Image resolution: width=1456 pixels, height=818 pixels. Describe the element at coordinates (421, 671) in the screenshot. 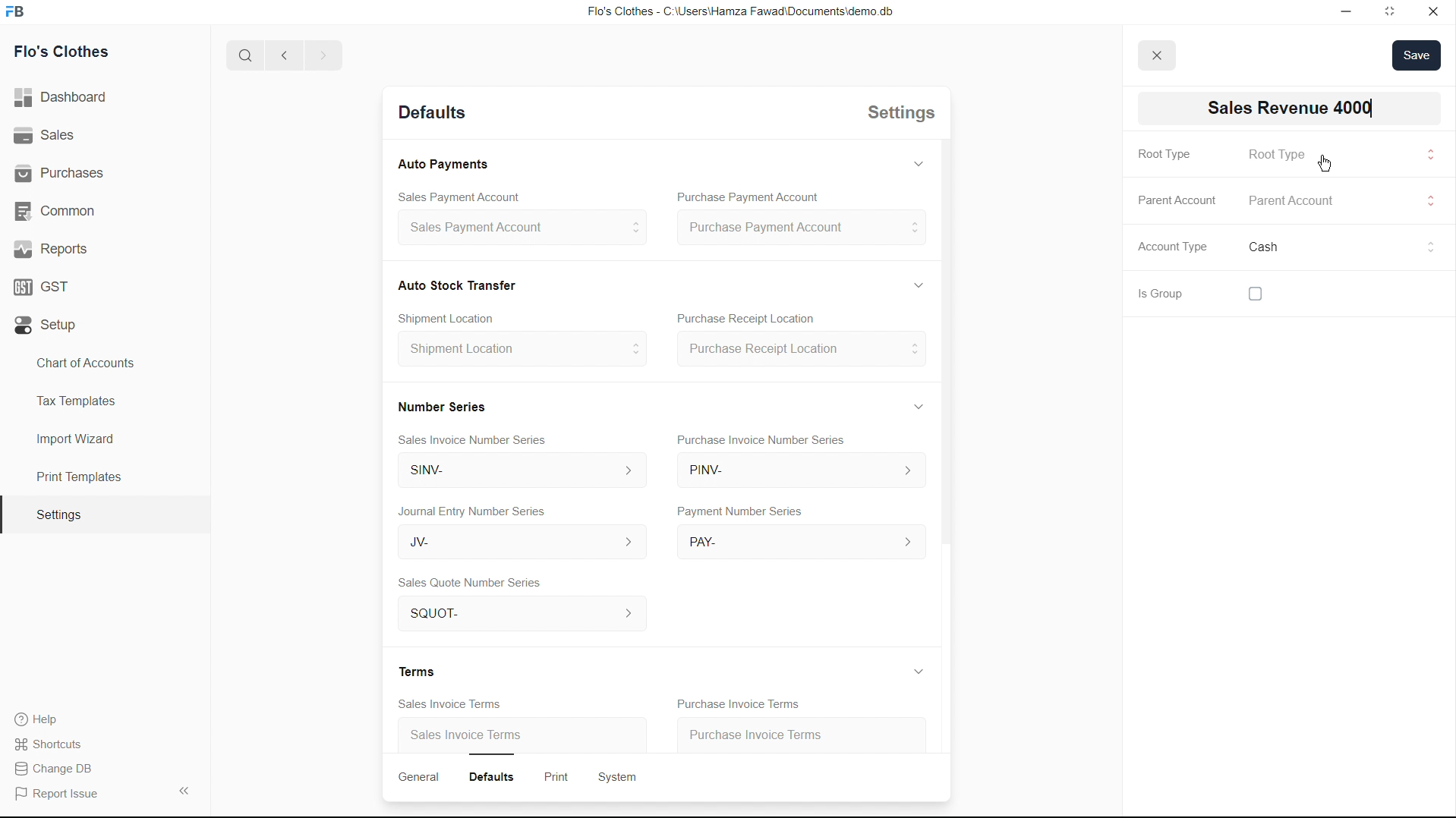

I see `Terms` at that location.